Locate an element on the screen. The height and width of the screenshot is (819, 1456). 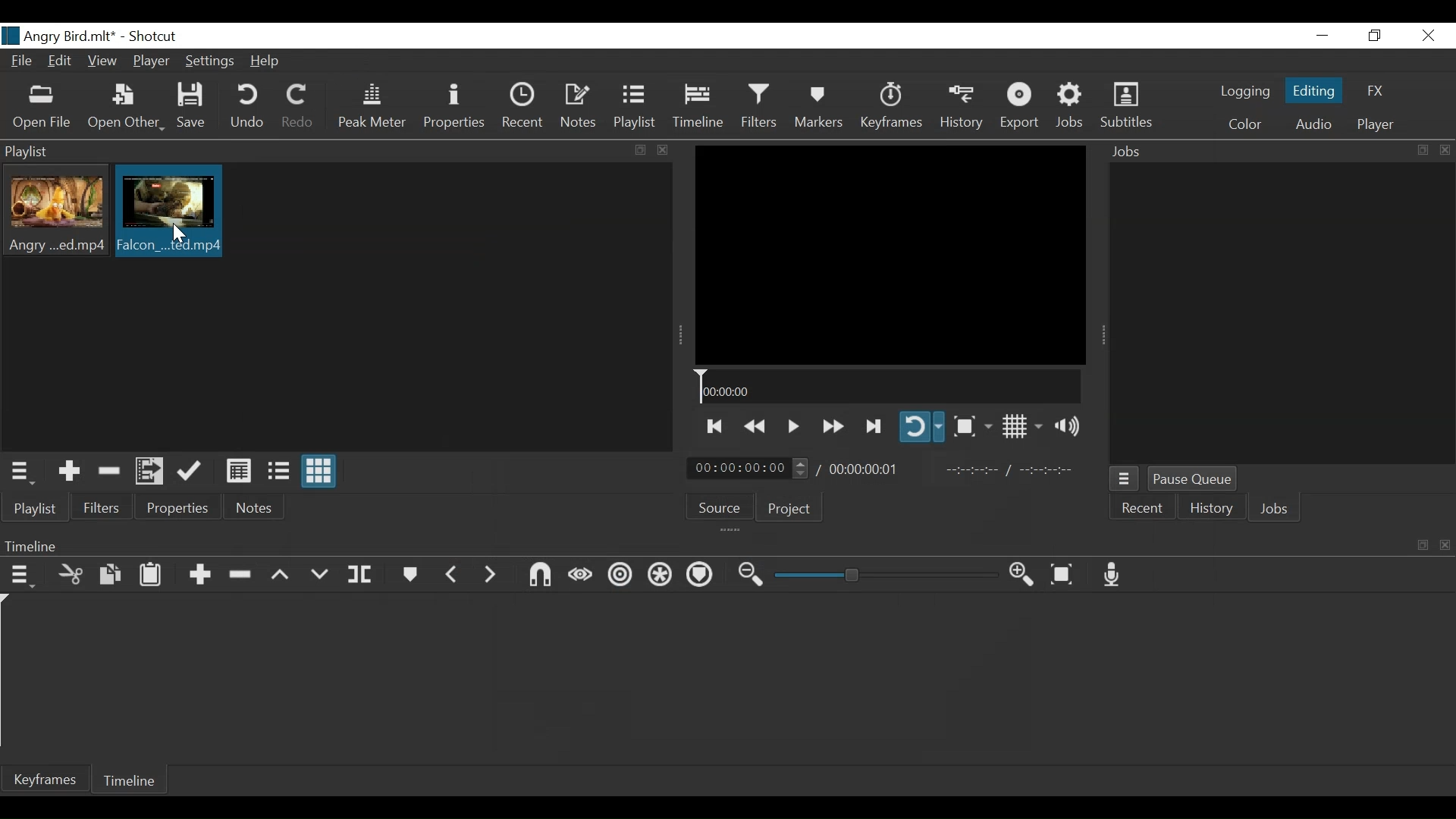
Append is located at coordinates (199, 577).